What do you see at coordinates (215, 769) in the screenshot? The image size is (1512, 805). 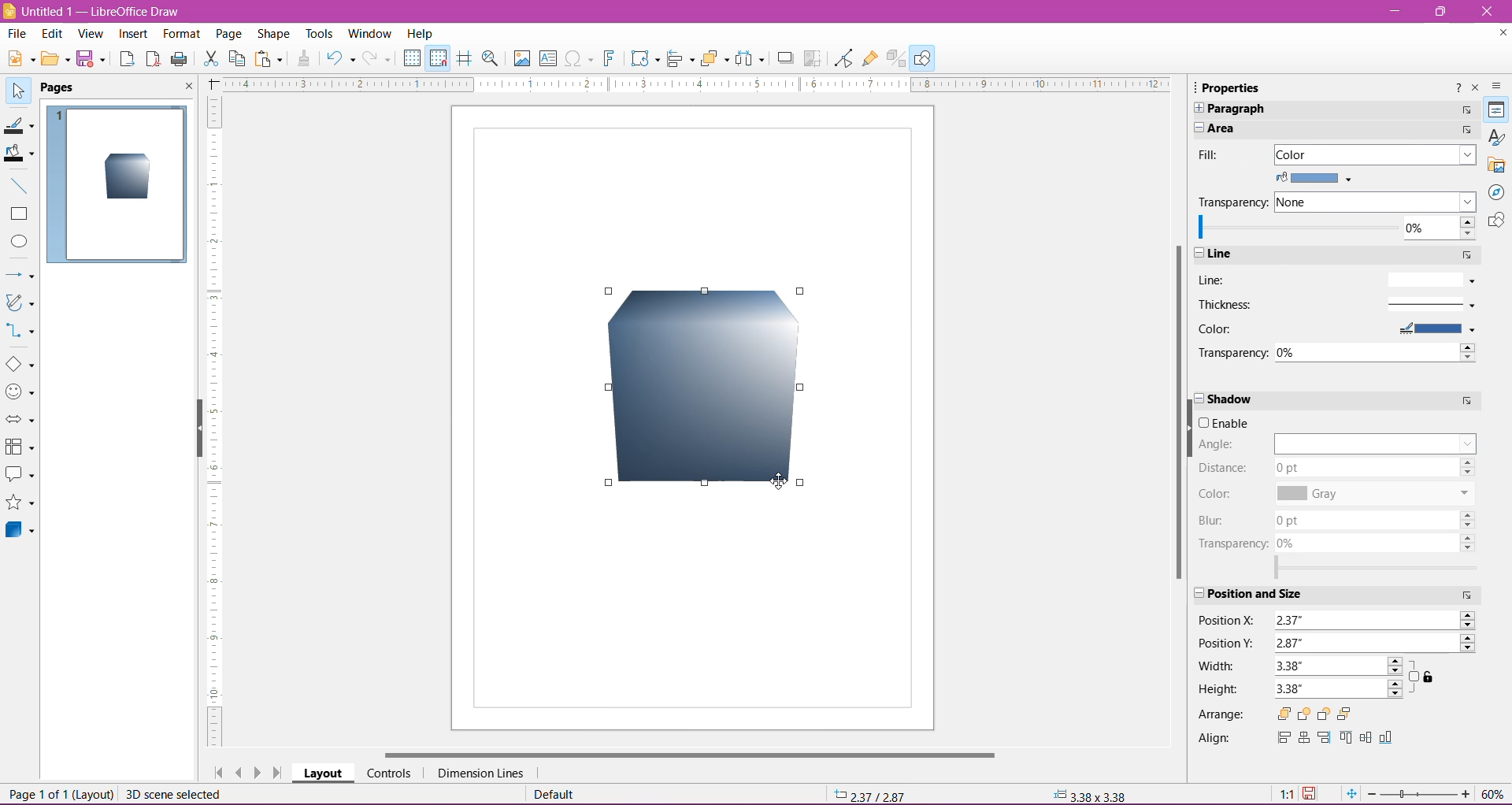 I see `Scroll to first page` at bounding box center [215, 769].